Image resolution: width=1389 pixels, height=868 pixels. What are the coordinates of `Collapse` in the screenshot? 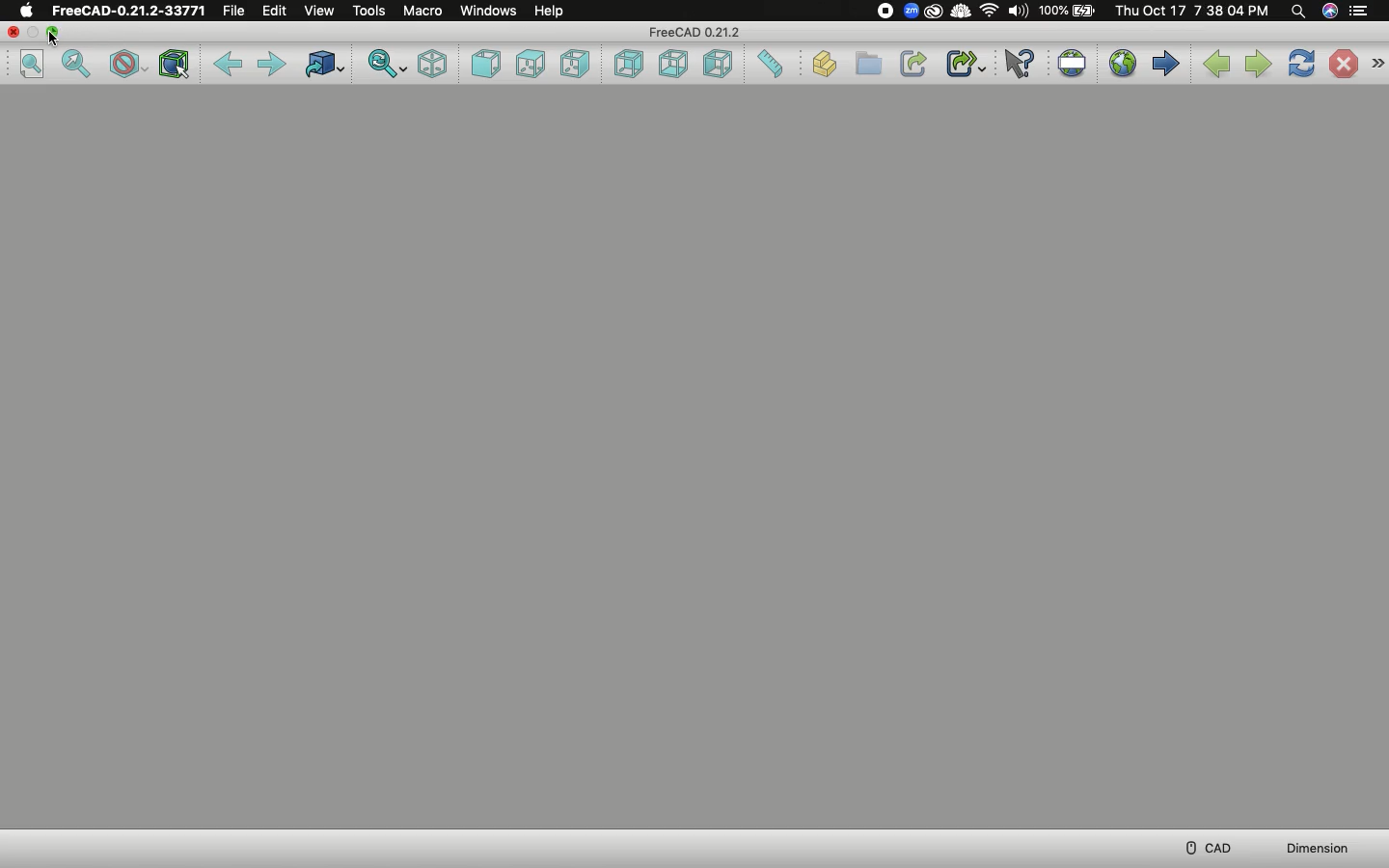 It's located at (55, 33).